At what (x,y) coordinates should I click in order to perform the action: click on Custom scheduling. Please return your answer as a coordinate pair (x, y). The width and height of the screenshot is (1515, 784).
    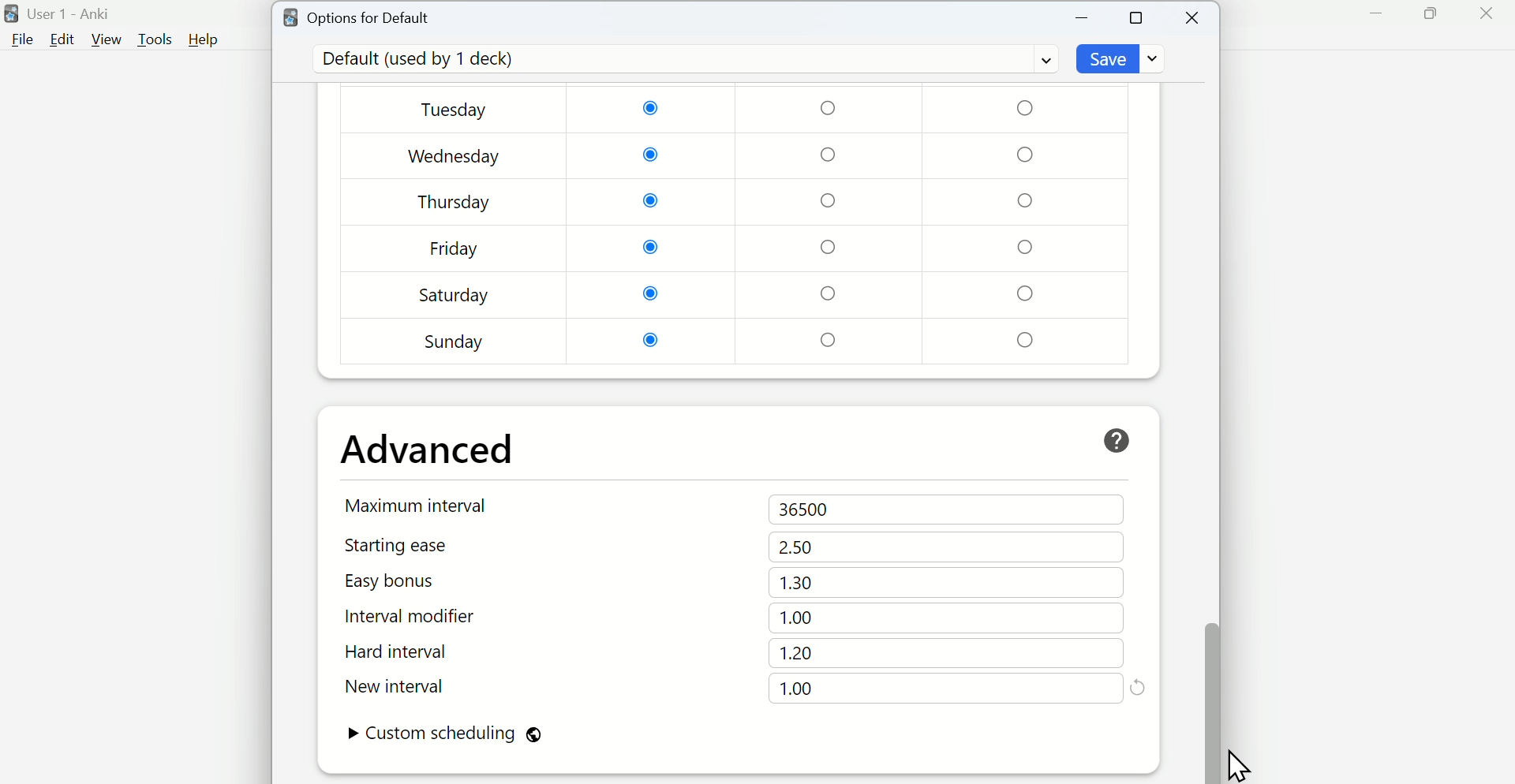
    Looking at the image, I should click on (444, 735).